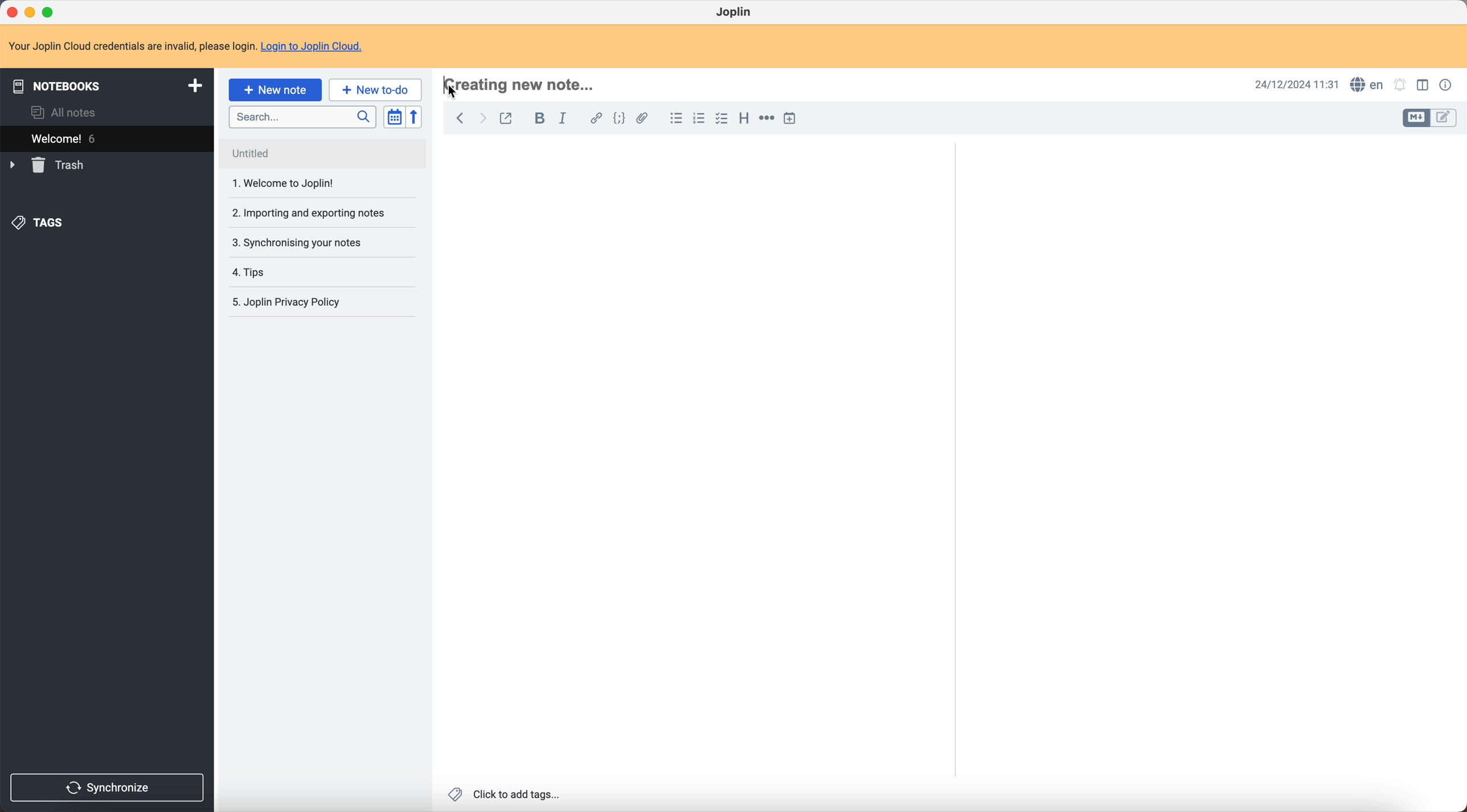 The height and width of the screenshot is (812, 1467). What do you see at coordinates (702, 458) in the screenshot?
I see `body text` at bounding box center [702, 458].